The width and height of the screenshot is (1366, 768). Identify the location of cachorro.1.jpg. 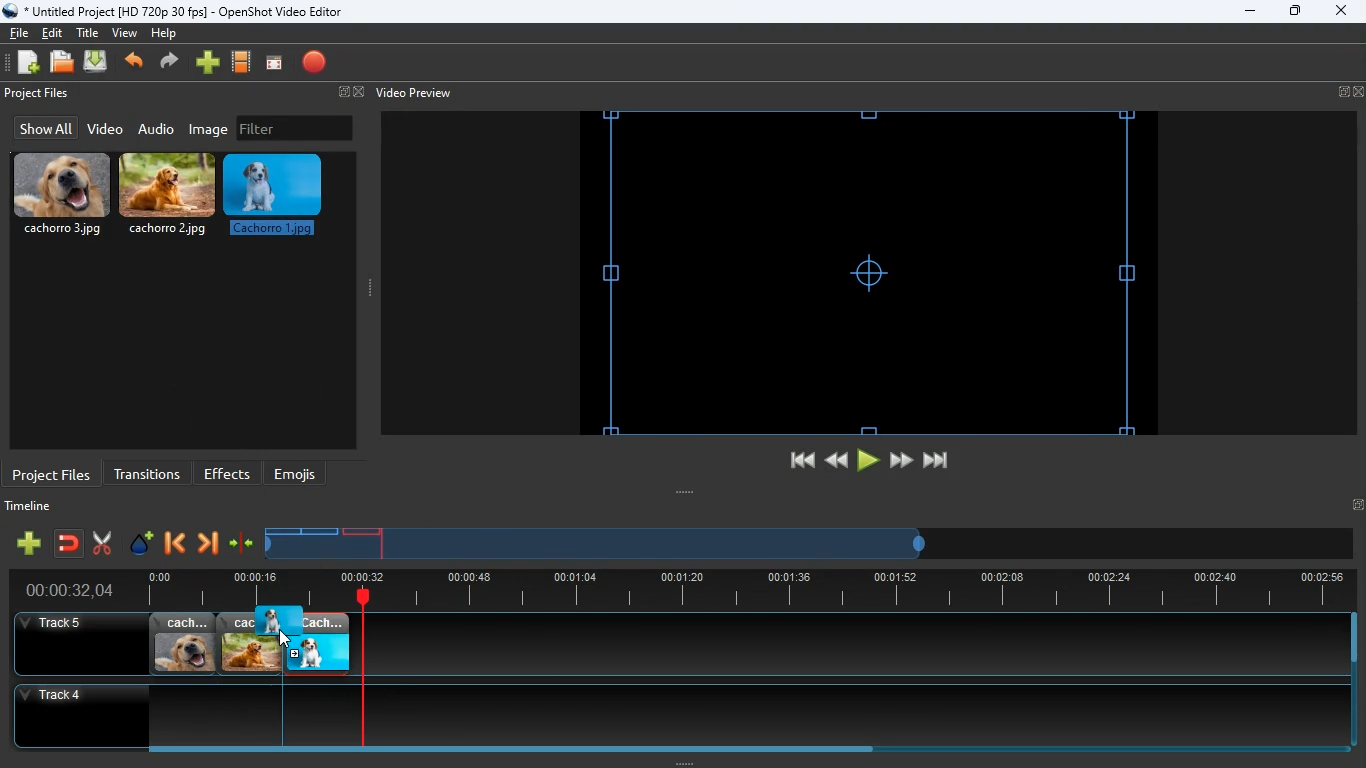
(317, 644).